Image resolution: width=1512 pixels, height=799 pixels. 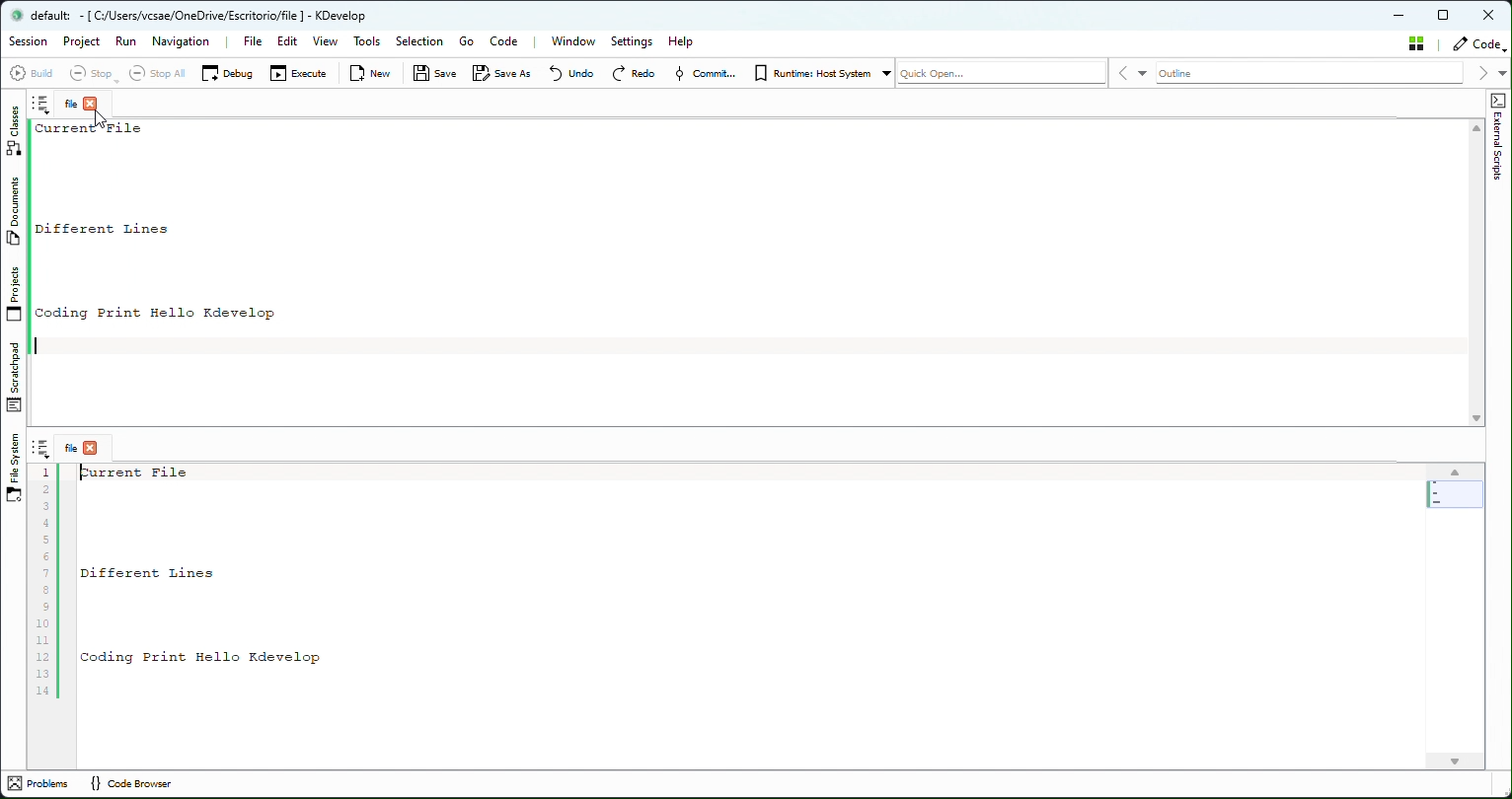 What do you see at coordinates (1475, 416) in the screenshot?
I see `Scroll down` at bounding box center [1475, 416].